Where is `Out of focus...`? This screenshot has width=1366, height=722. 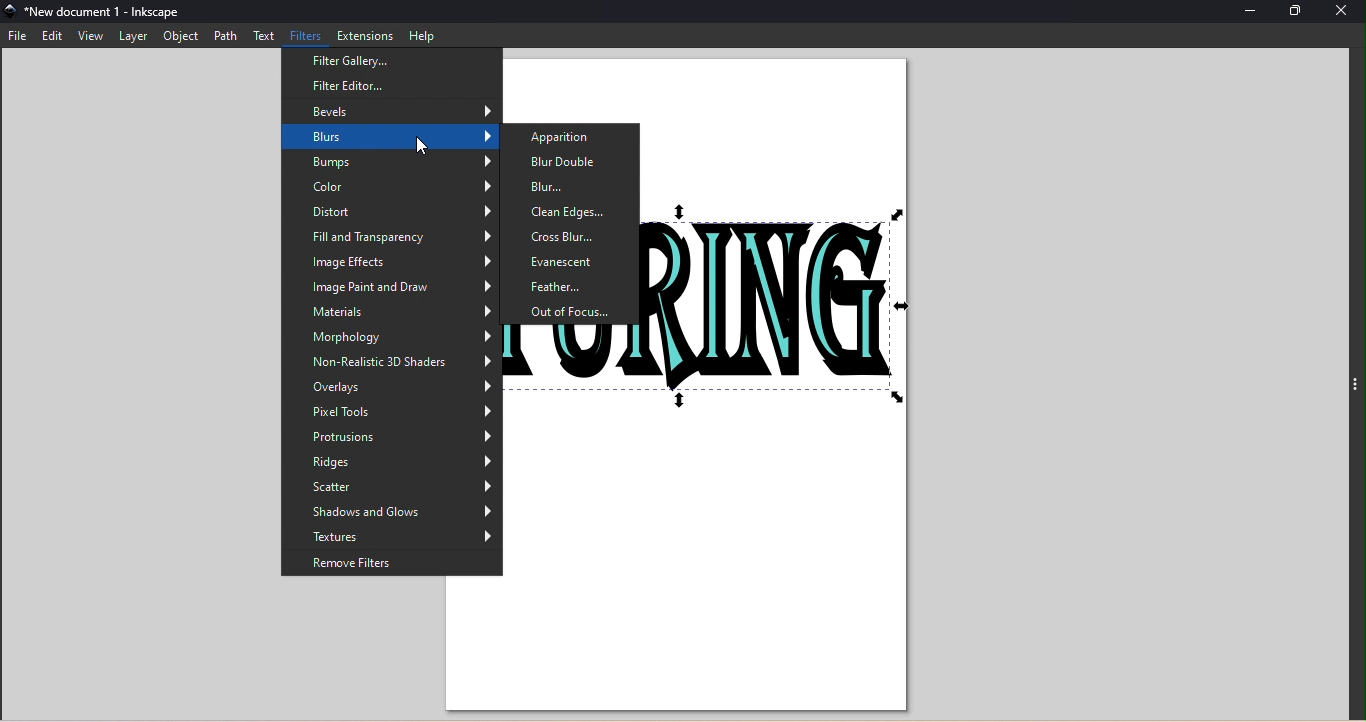
Out of focus... is located at coordinates (572, 313).